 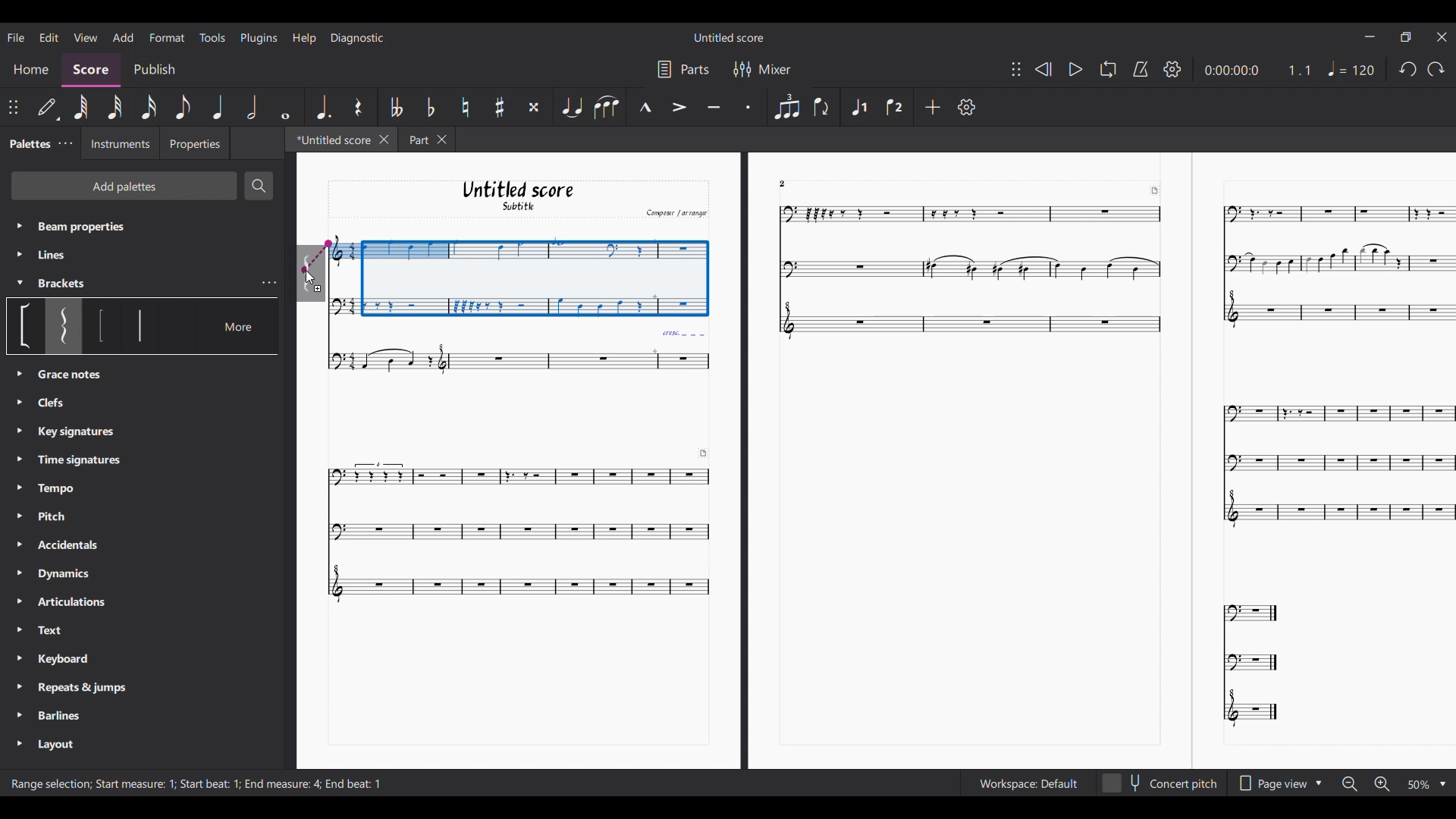 I want to click on , so click(x=20, y=430).